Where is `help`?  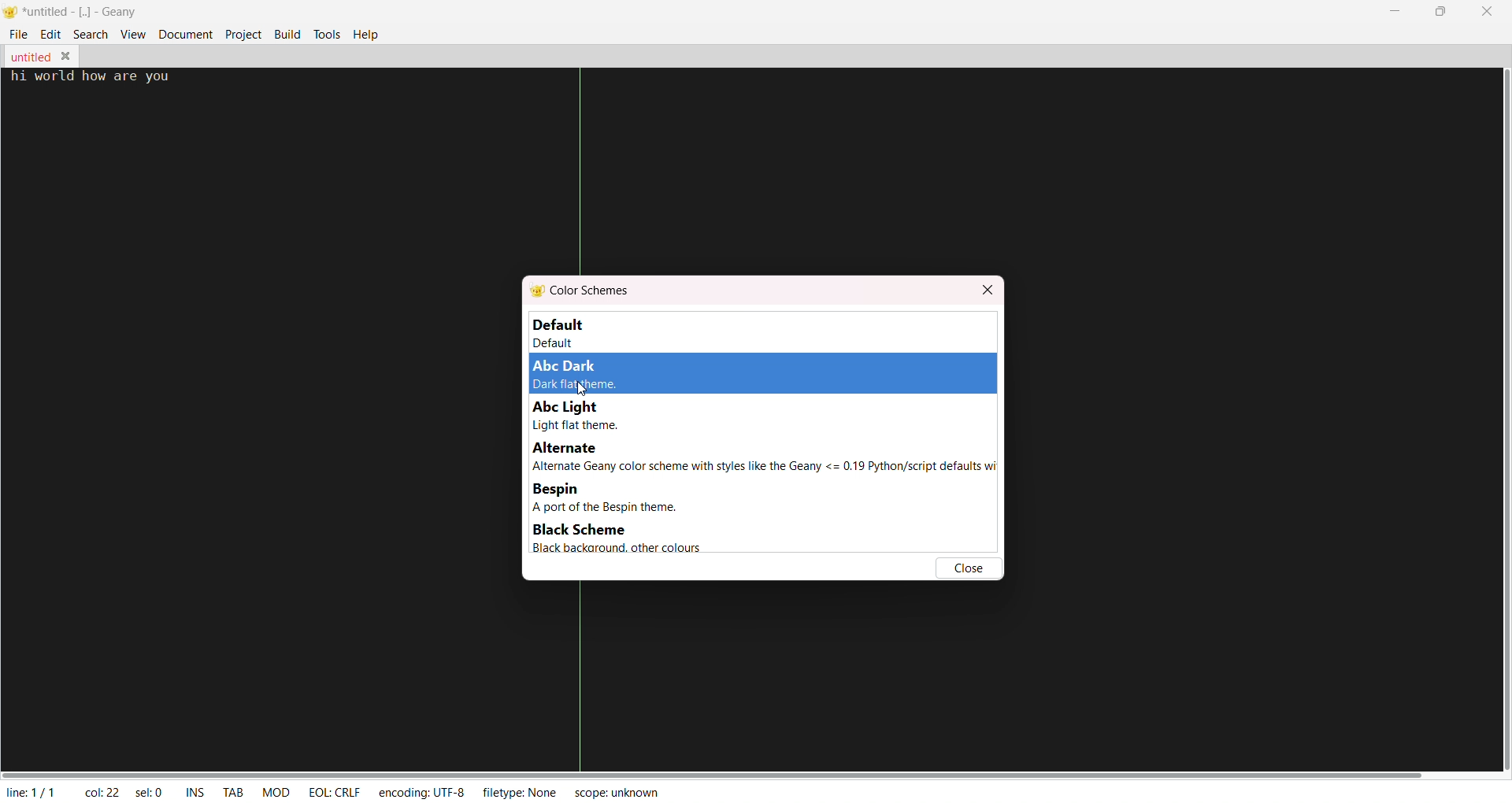 help is located at coordinates (367, 35).